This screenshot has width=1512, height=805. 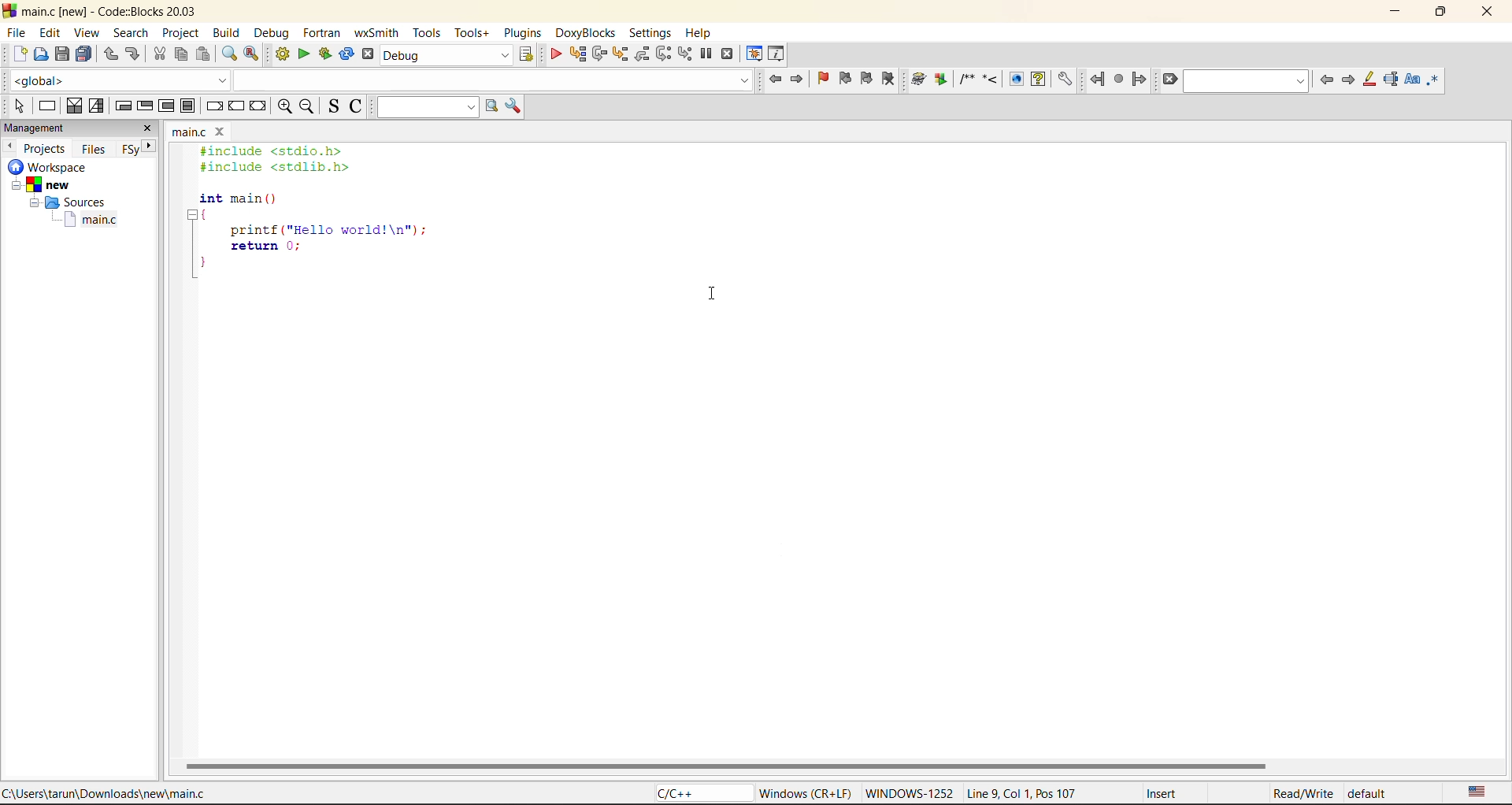 What do you see at coordinates (258, 107) in the screenshot?
I see `return instruction` at bounding box center [258, 107].